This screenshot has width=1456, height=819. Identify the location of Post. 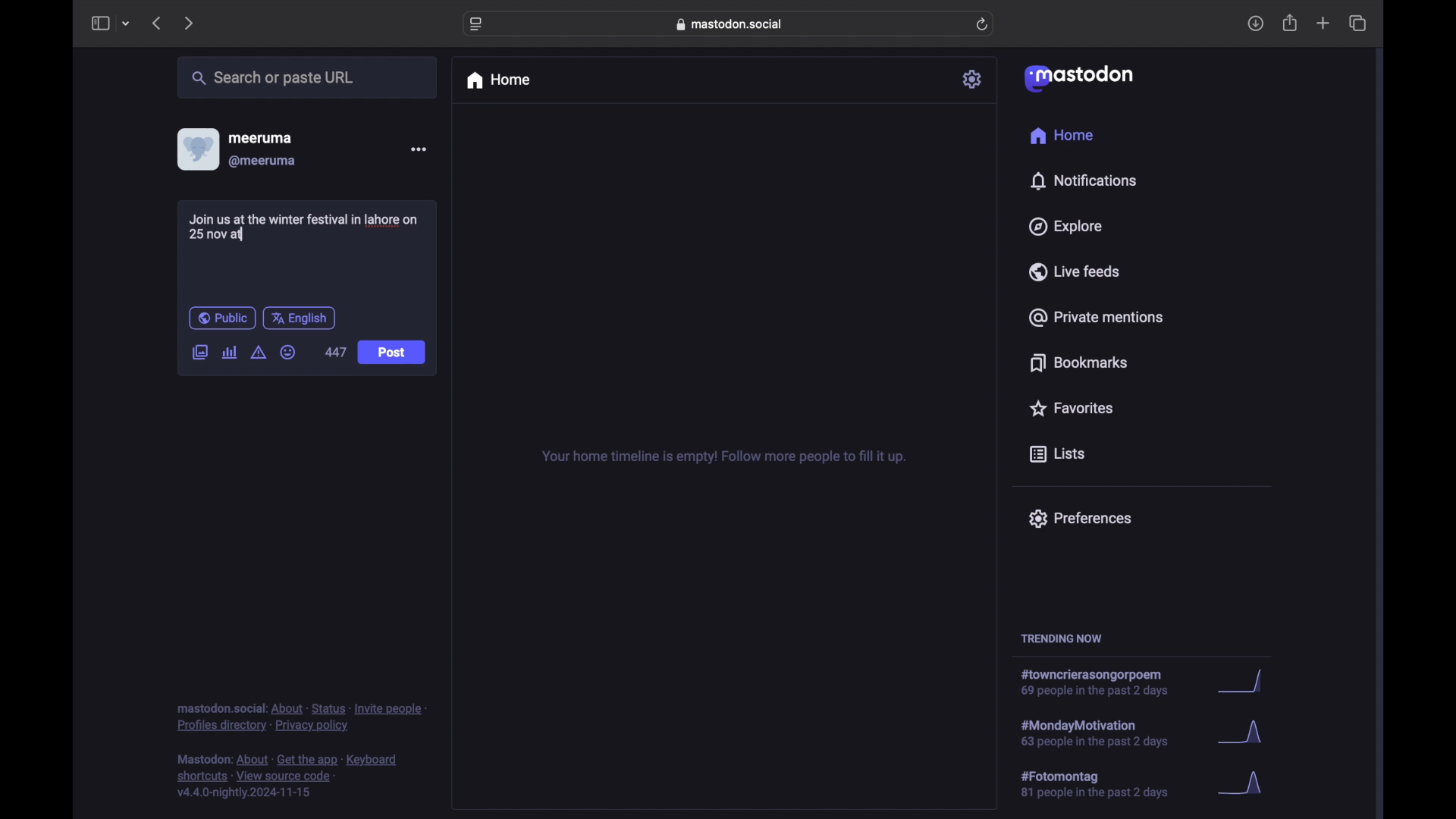
(393, 353).